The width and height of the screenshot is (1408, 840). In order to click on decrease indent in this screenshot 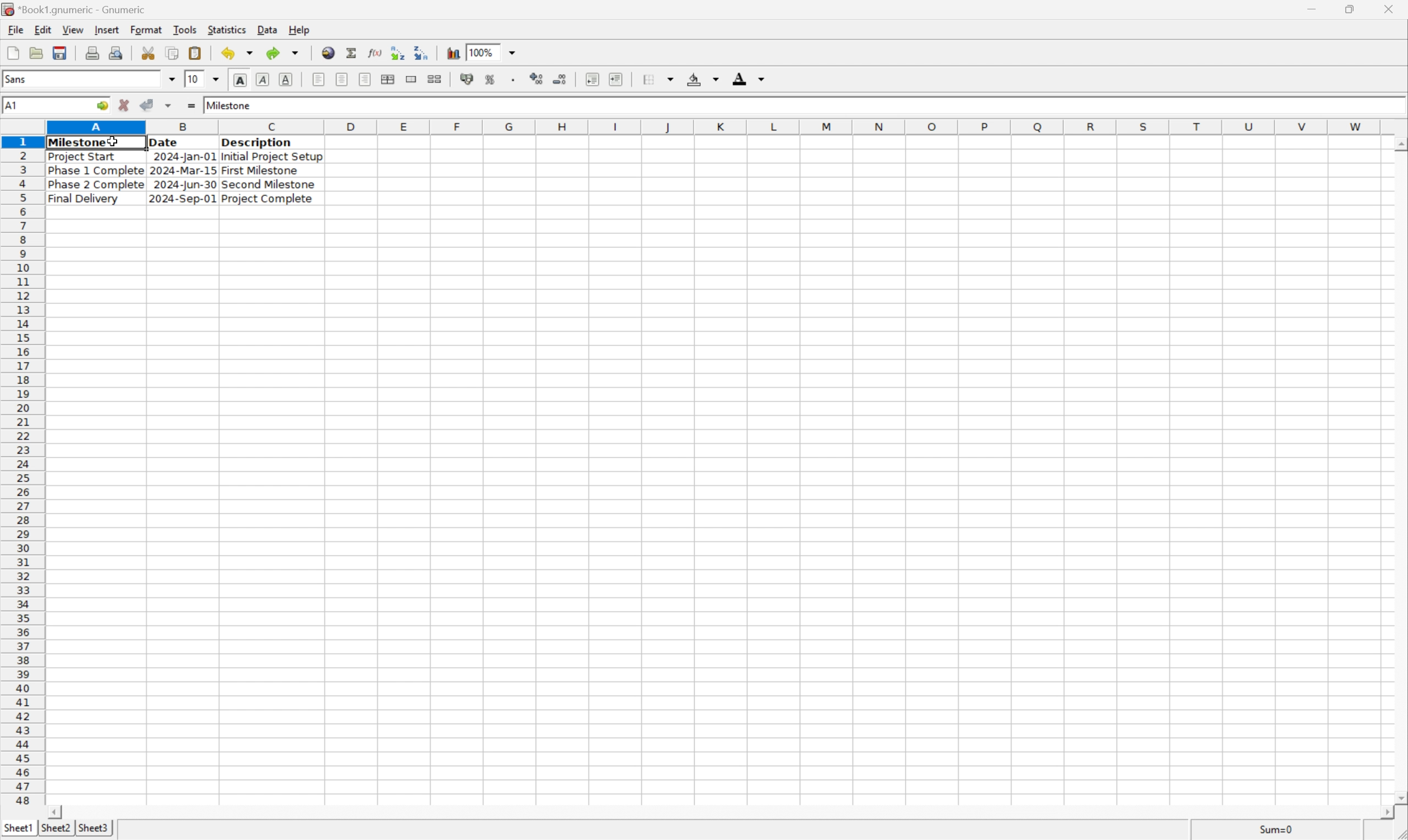, I will do `click(592, 80)`.